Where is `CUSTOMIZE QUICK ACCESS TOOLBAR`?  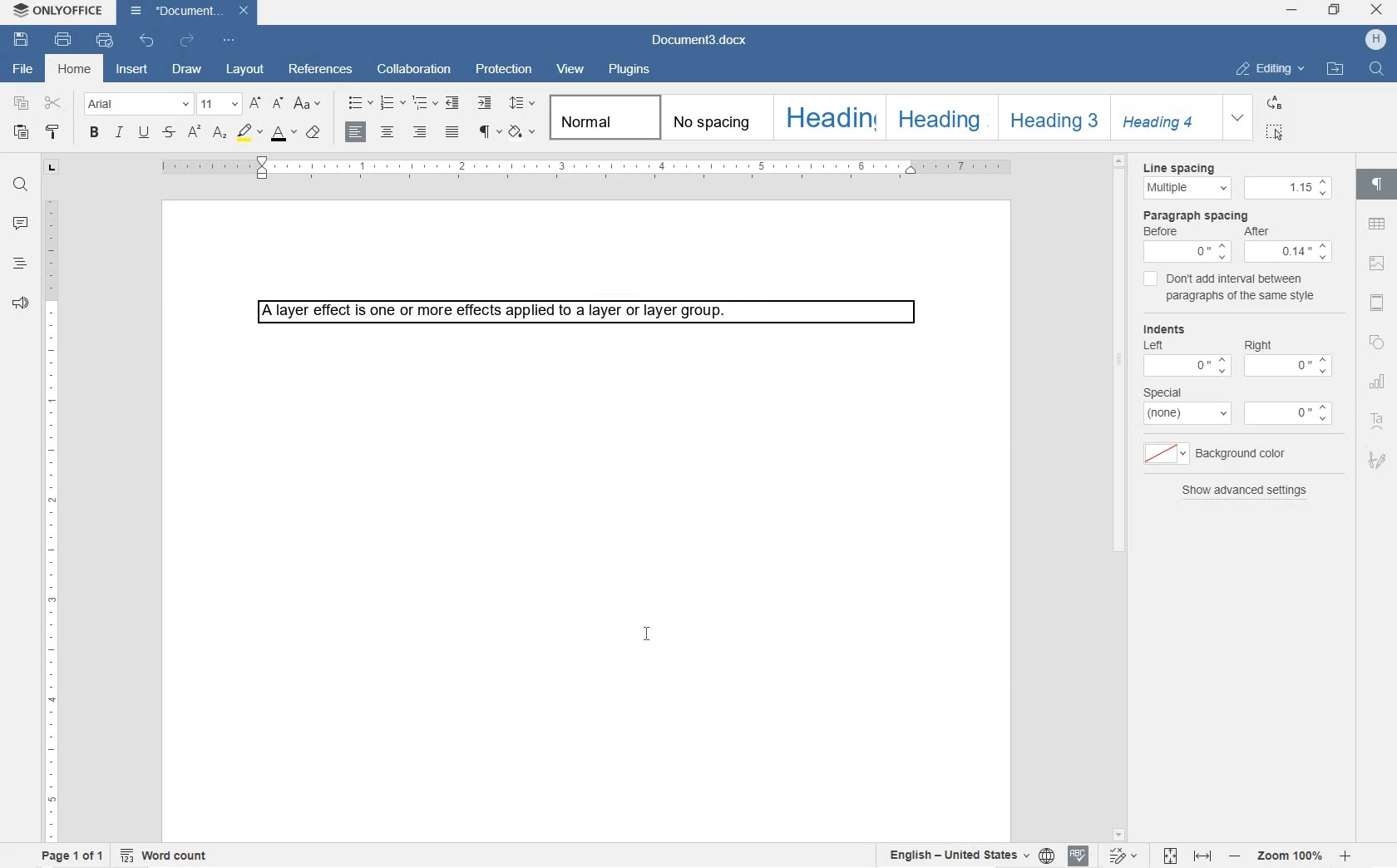
CUSTOMIZE QUICK ACCESS TOOLBAR is located at coordinates (230, 42).